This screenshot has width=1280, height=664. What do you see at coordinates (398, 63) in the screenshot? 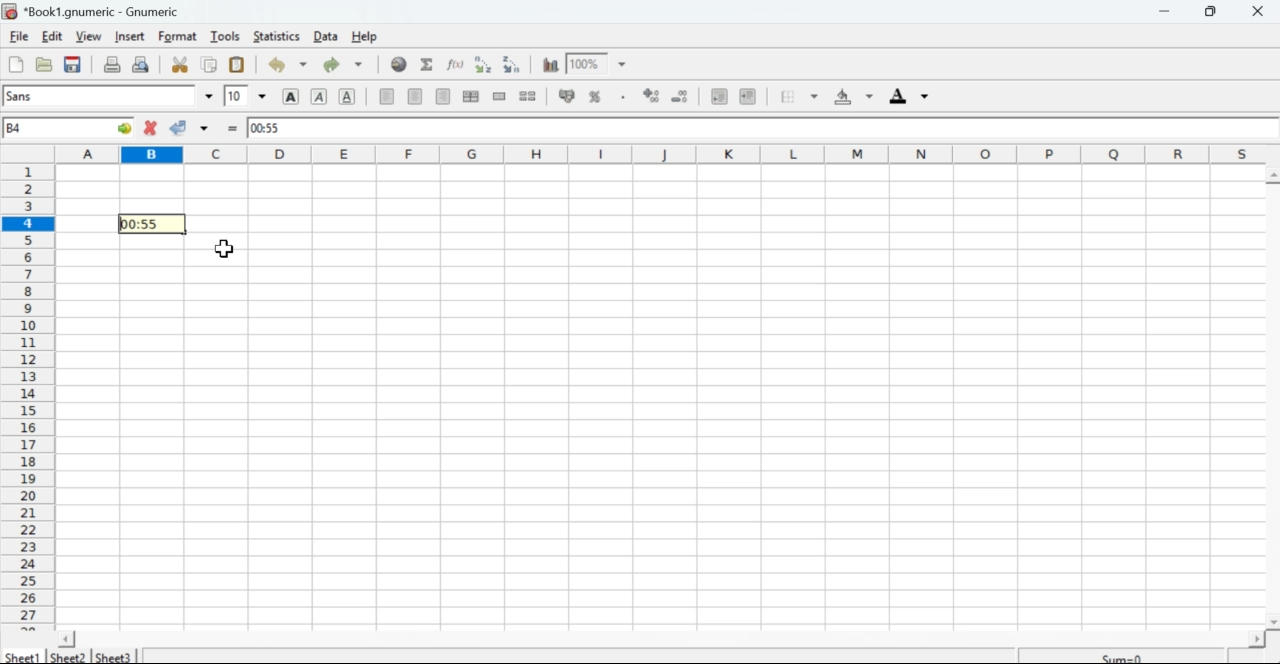
I see `Search` at bounding box center [398, 63].